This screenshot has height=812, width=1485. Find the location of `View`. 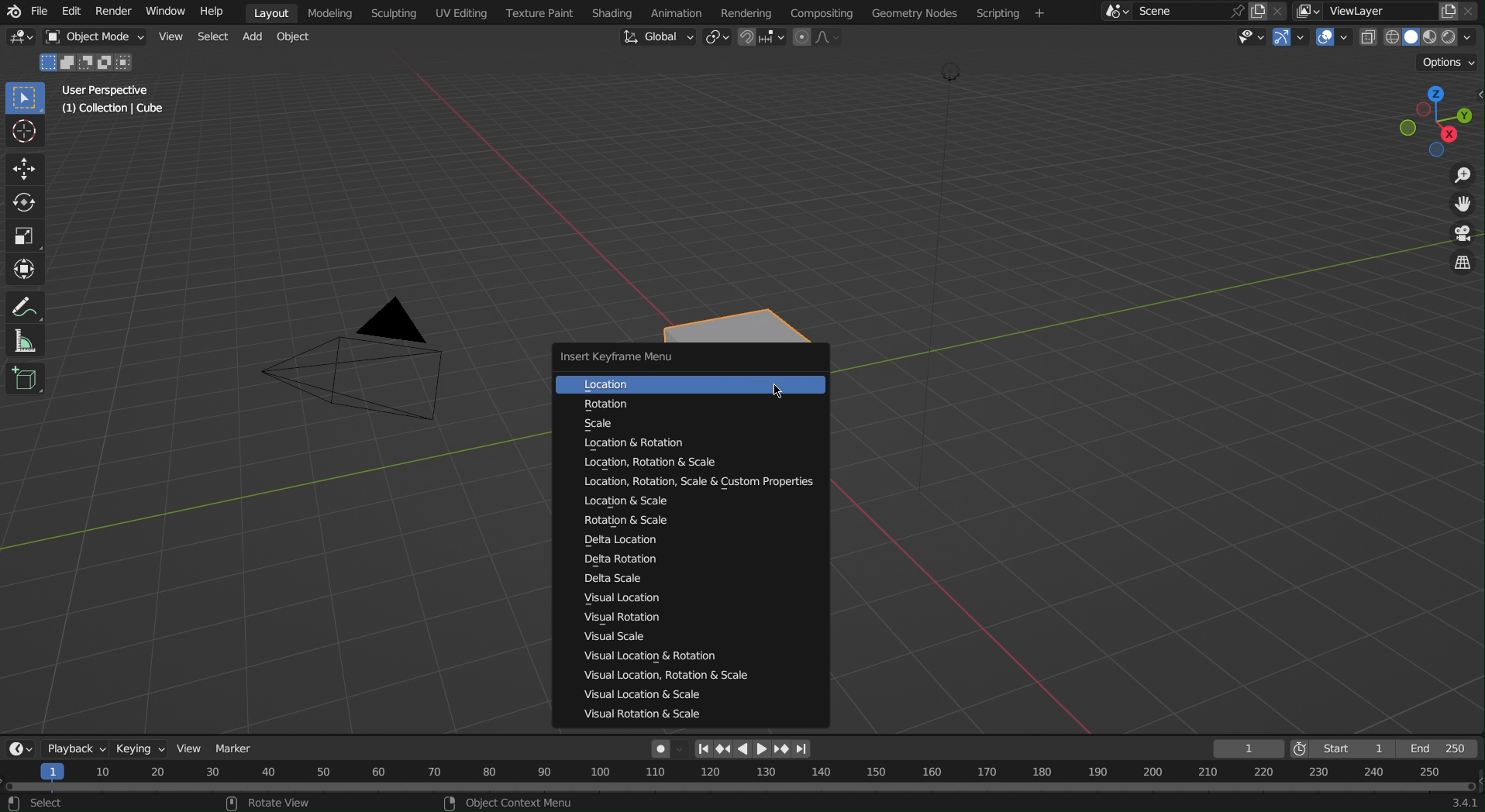

View is located at coordinates (190, 749).